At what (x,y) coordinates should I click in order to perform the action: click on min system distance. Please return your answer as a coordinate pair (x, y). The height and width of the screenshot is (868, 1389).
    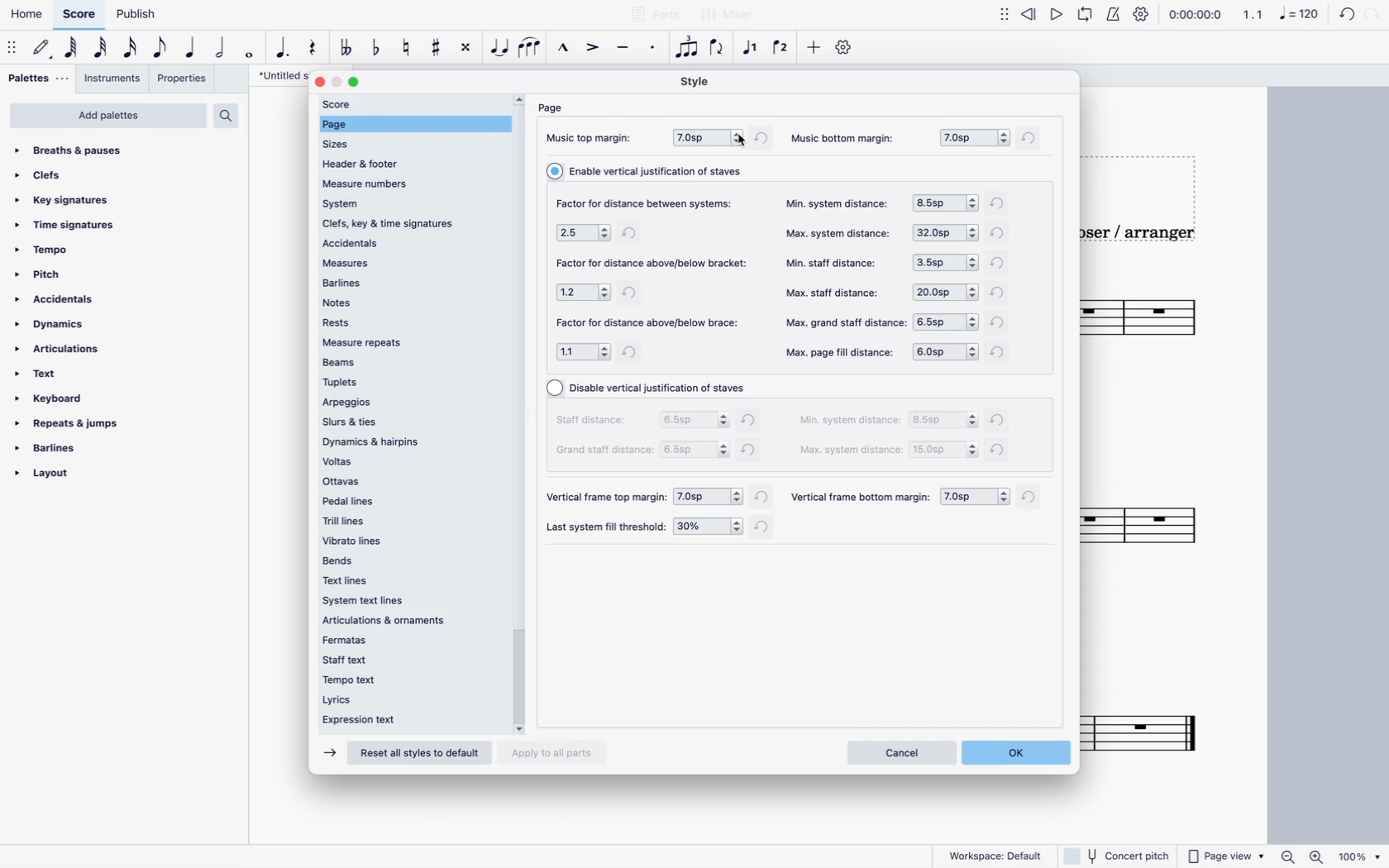
    Looking at the image, I should click on (850, 422).